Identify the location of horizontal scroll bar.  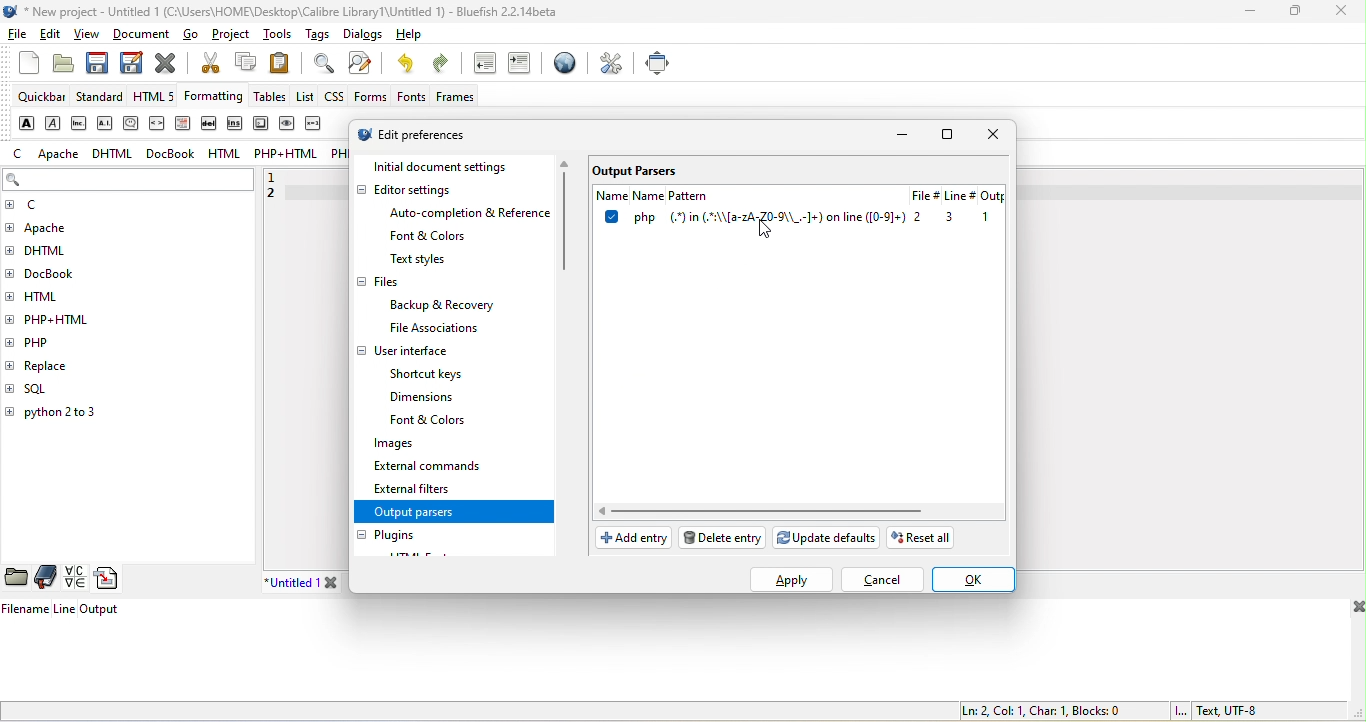
(764, 511).